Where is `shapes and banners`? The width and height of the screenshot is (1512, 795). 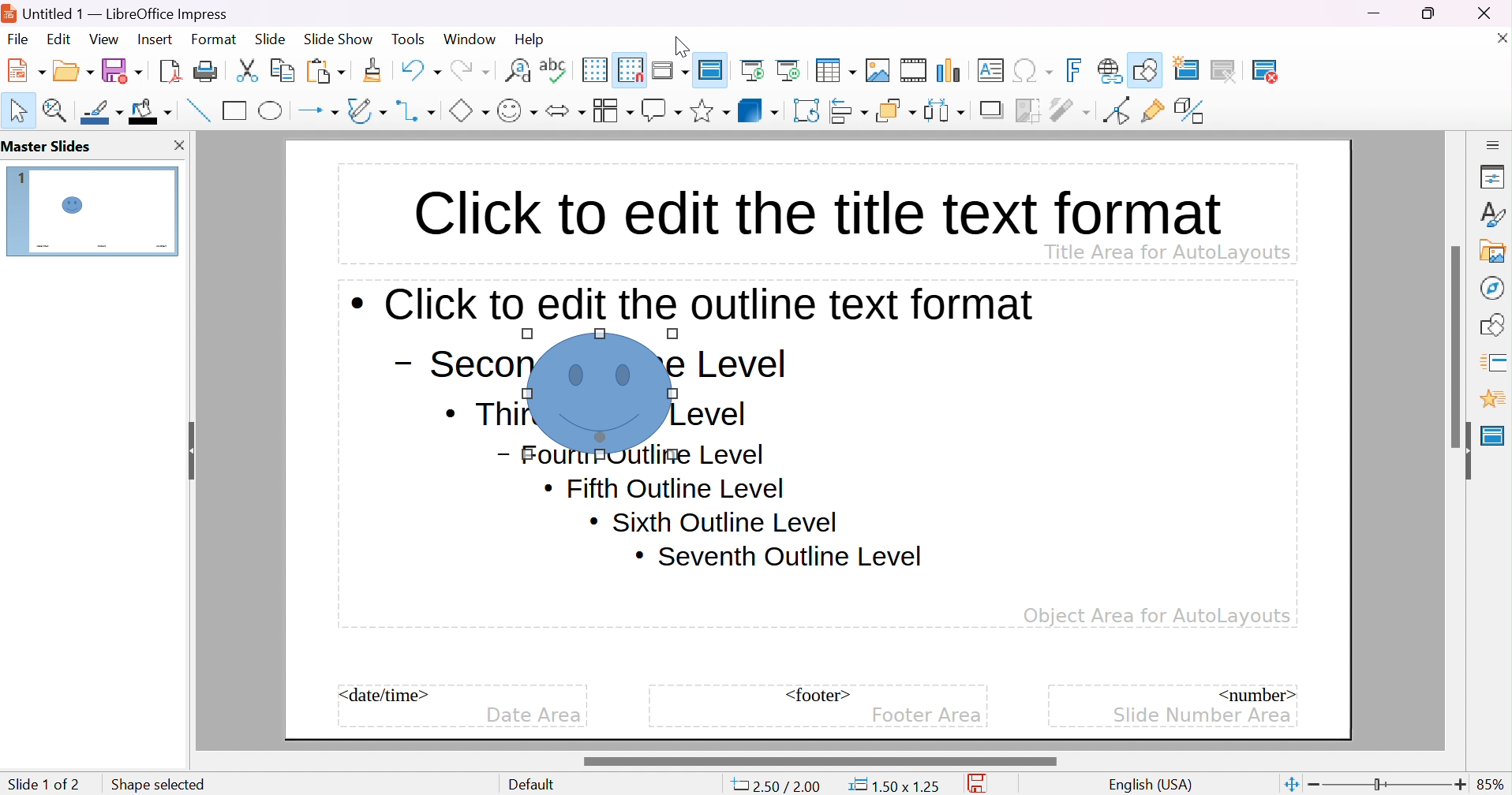
shapes and banners is located at coordinates (709, 111).